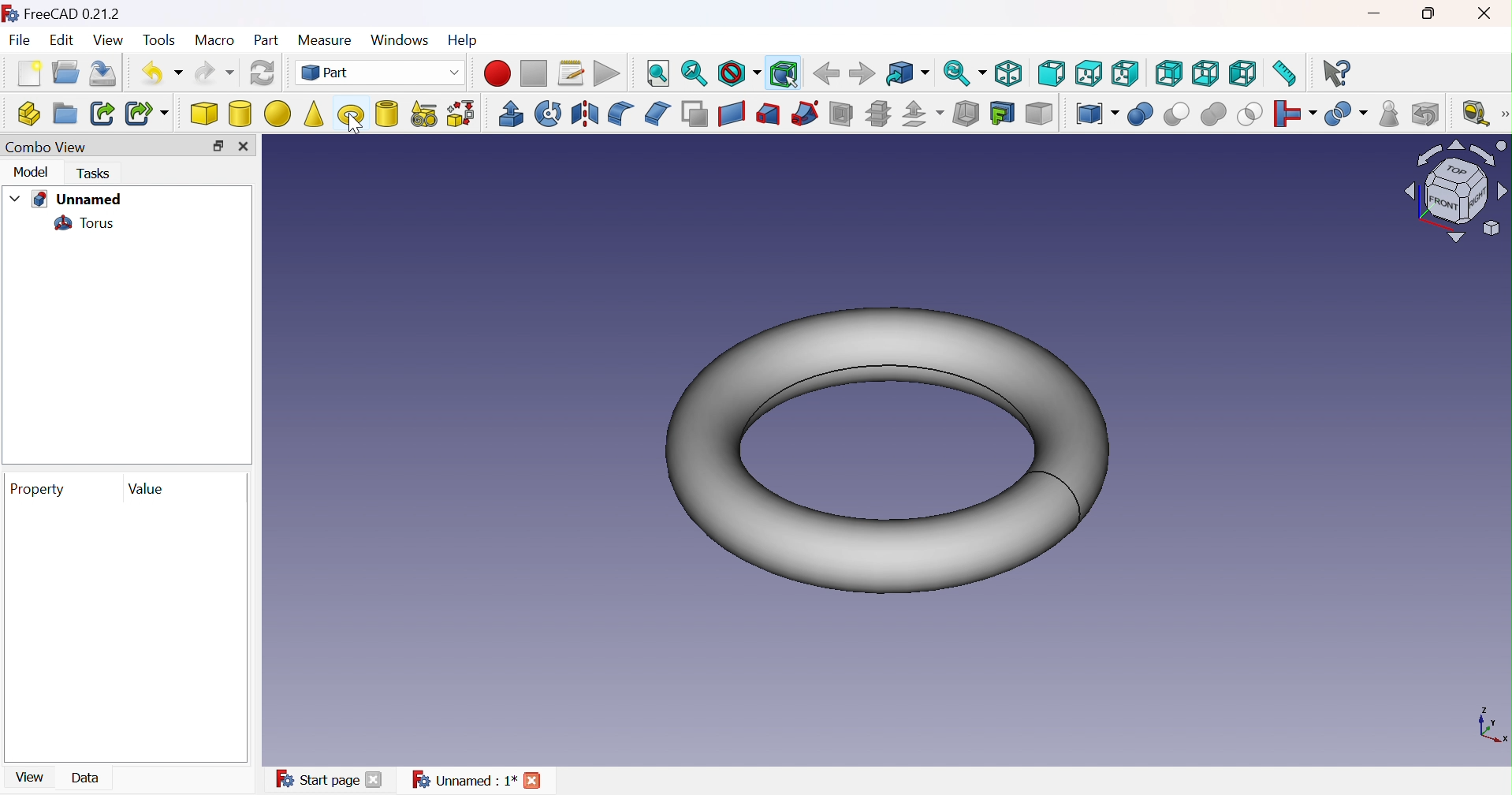 The height and width of the screenshot is (795, 1512). What do you see at coordinates (158, 74) in the screenshot?
I see `Undo` at bounding box center [158, 74].